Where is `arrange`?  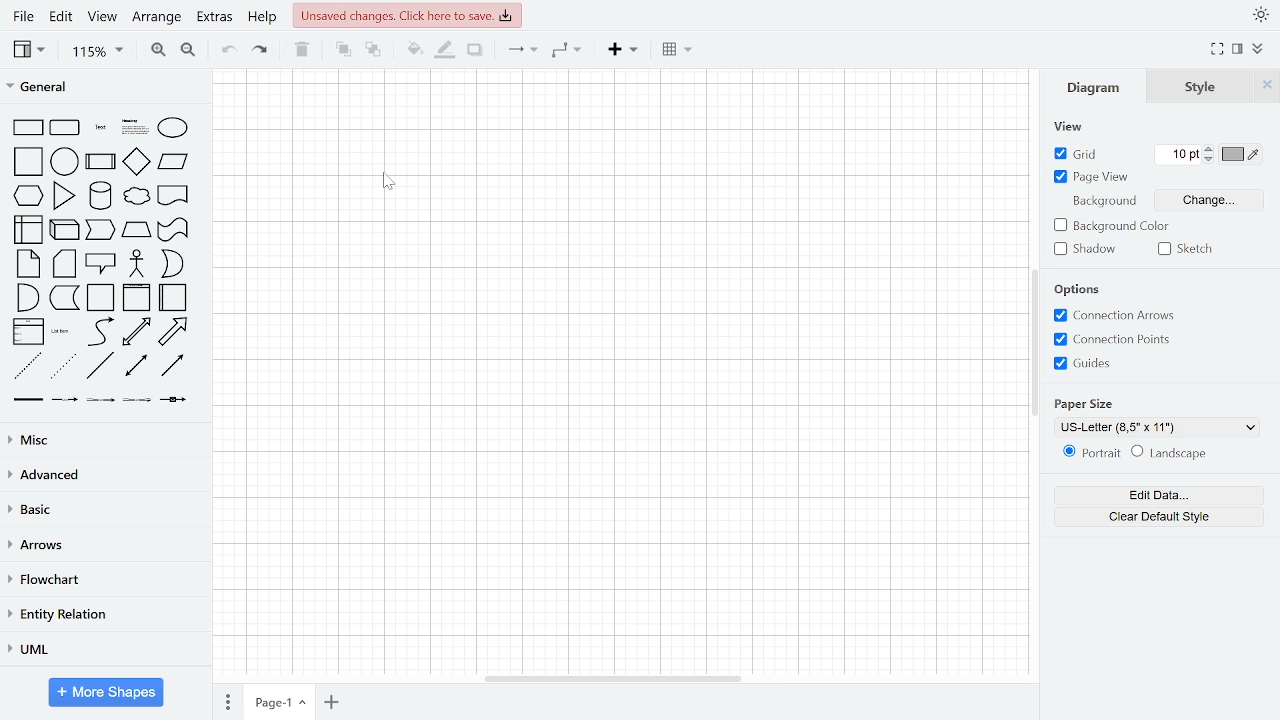
arrange is located at coordinates (160, 17).